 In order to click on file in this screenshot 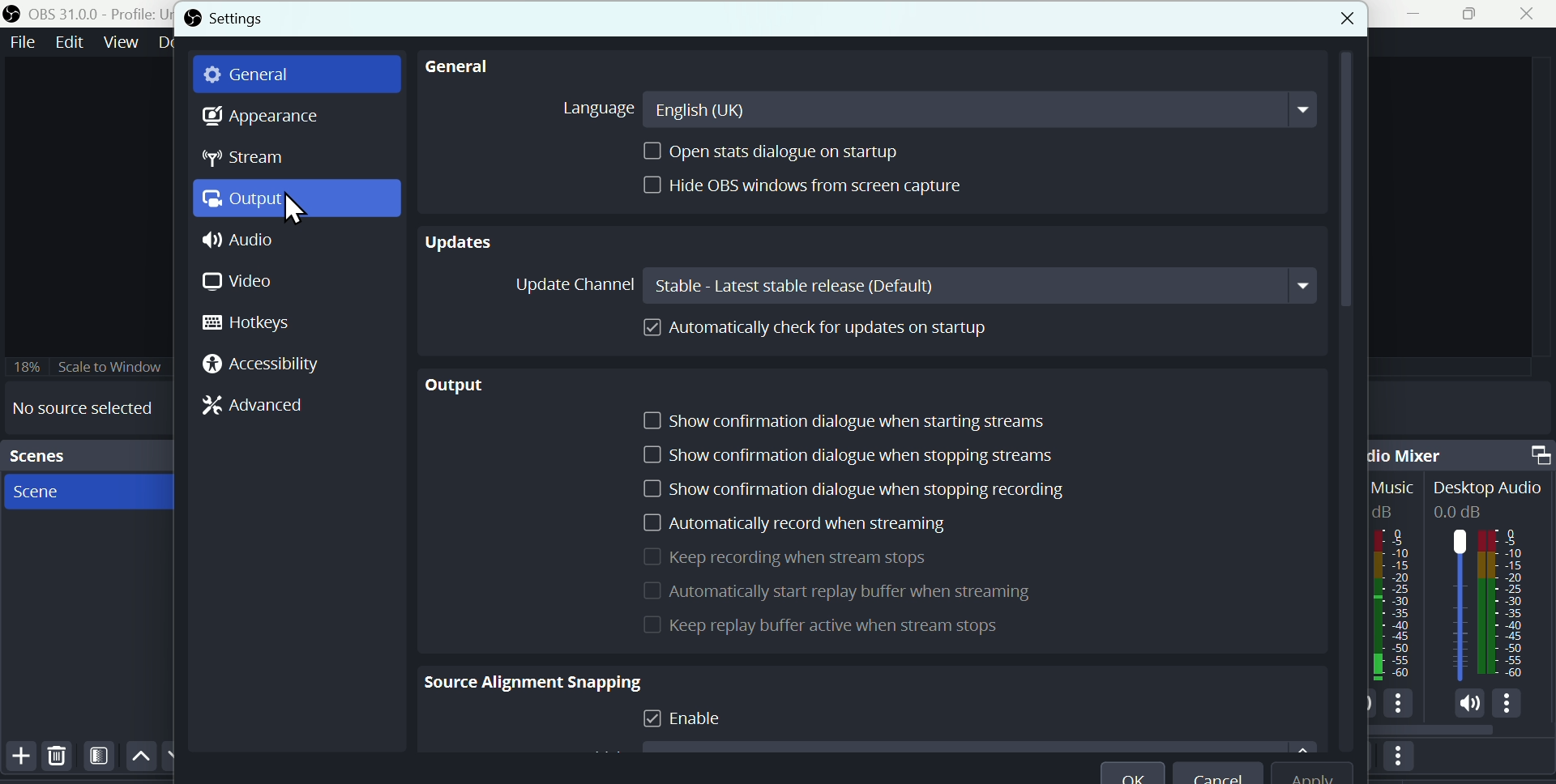, I will do `click(21, 47)`.